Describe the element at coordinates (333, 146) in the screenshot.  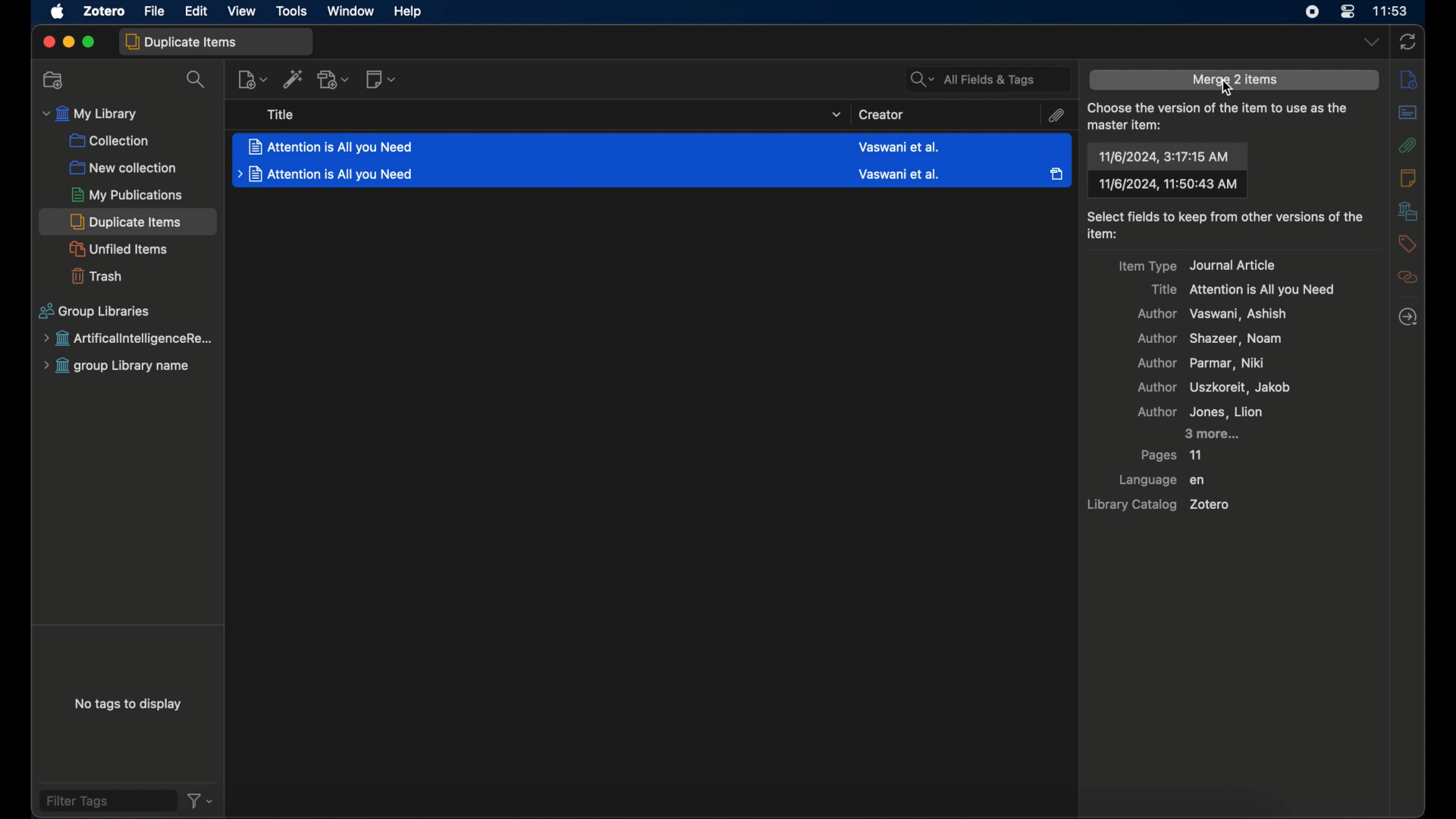
I see `File` at that location.